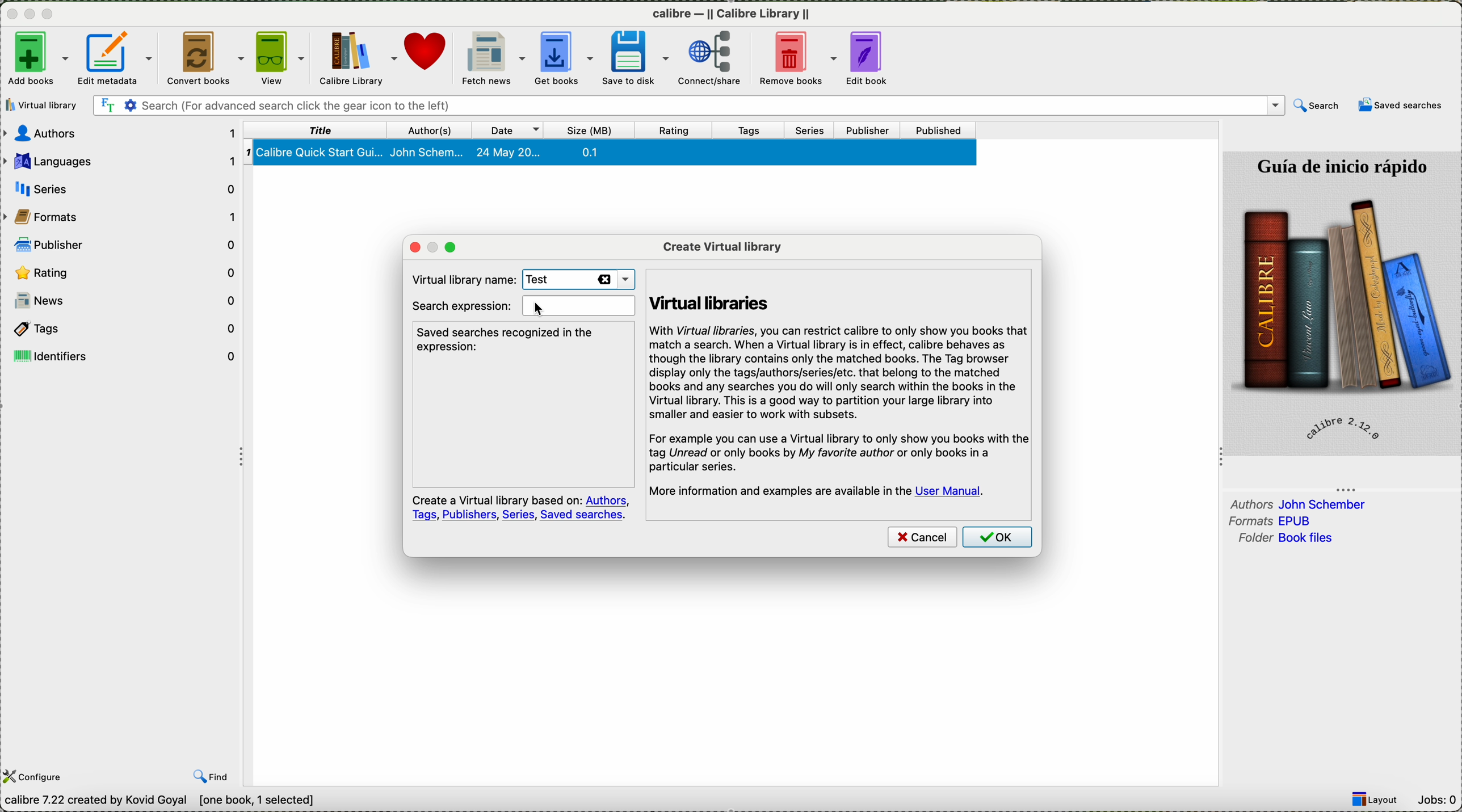  What do you see at coordinates (1341, 302) in the screenshot?
I see `calibre quick start guide preview` at bounding box center [1341, 302].